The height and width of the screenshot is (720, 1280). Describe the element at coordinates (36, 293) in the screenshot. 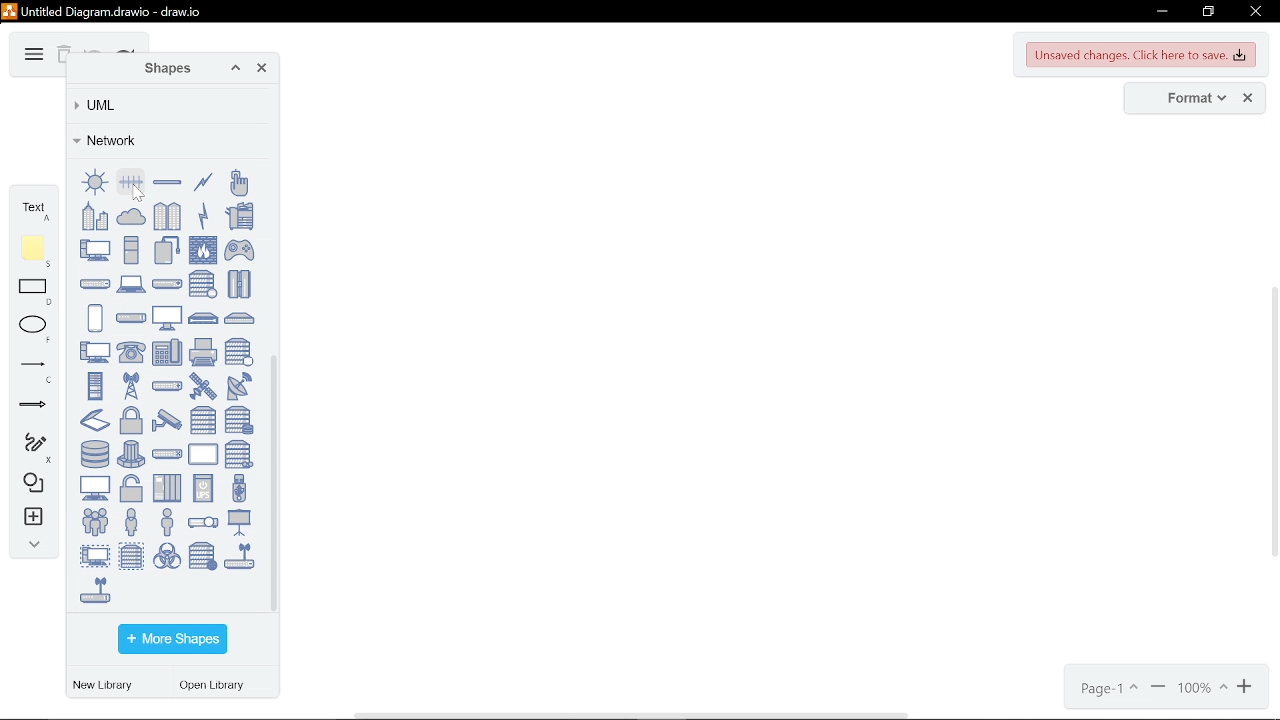

I see `rectangle` at that location.